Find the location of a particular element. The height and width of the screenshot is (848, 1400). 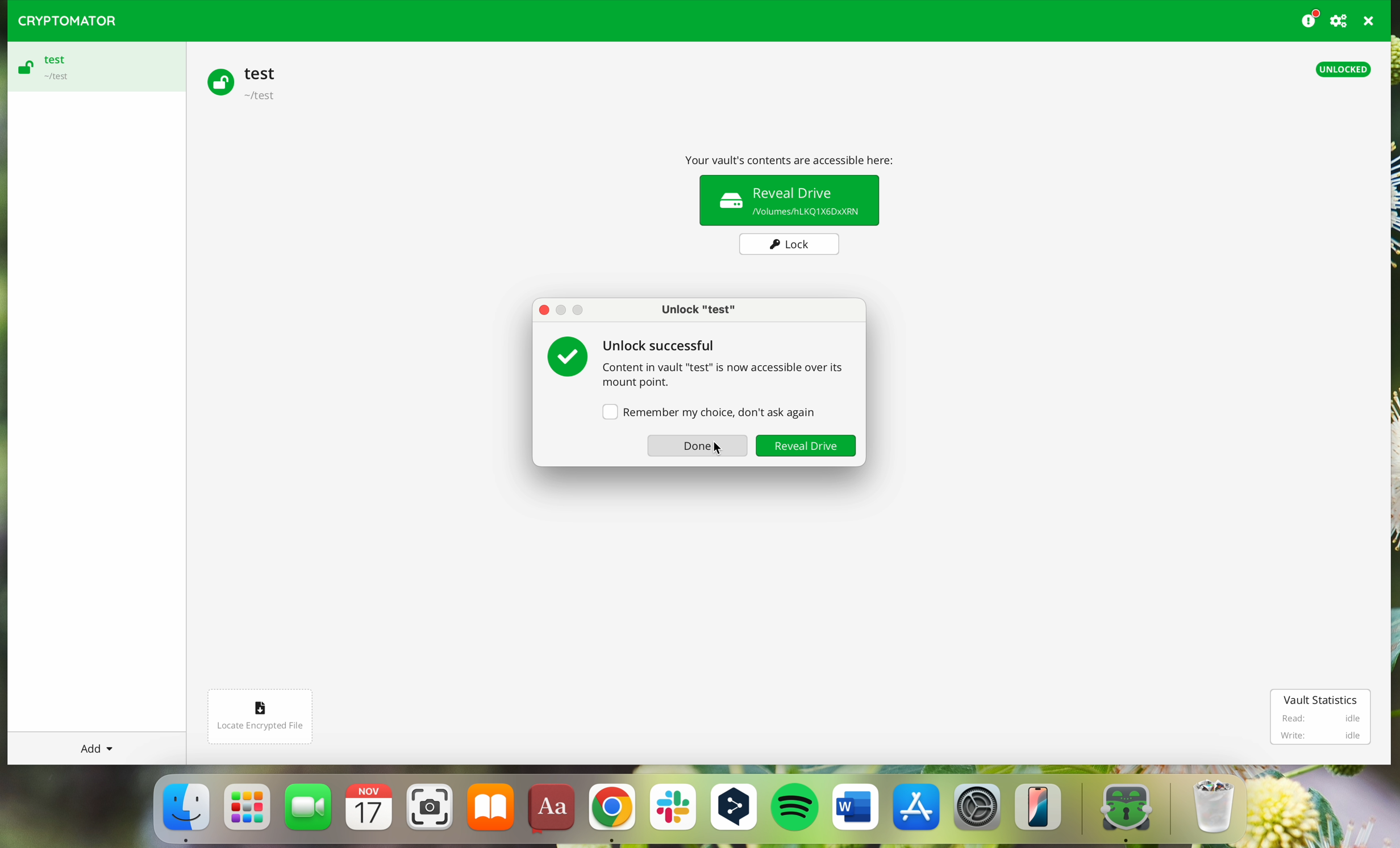

Tick icon is located at coordinates (566, 361).